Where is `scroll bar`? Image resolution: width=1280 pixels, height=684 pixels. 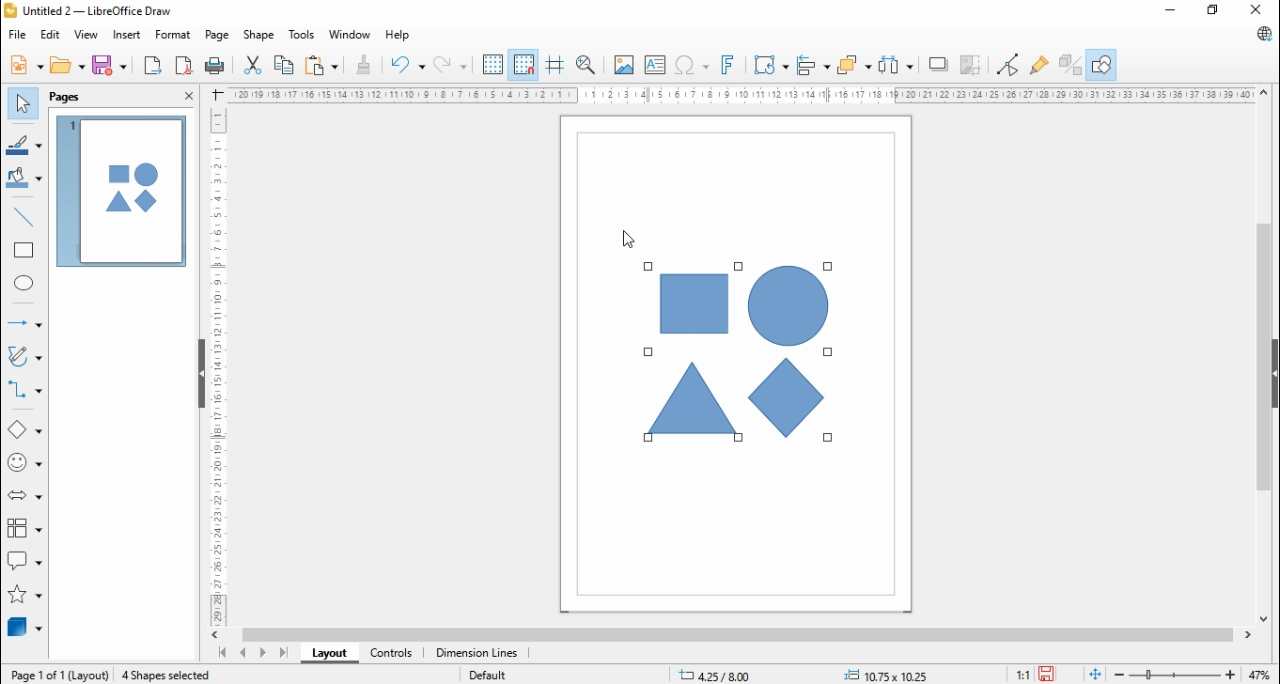 scroll bar is located at coordinates (1264, 355).